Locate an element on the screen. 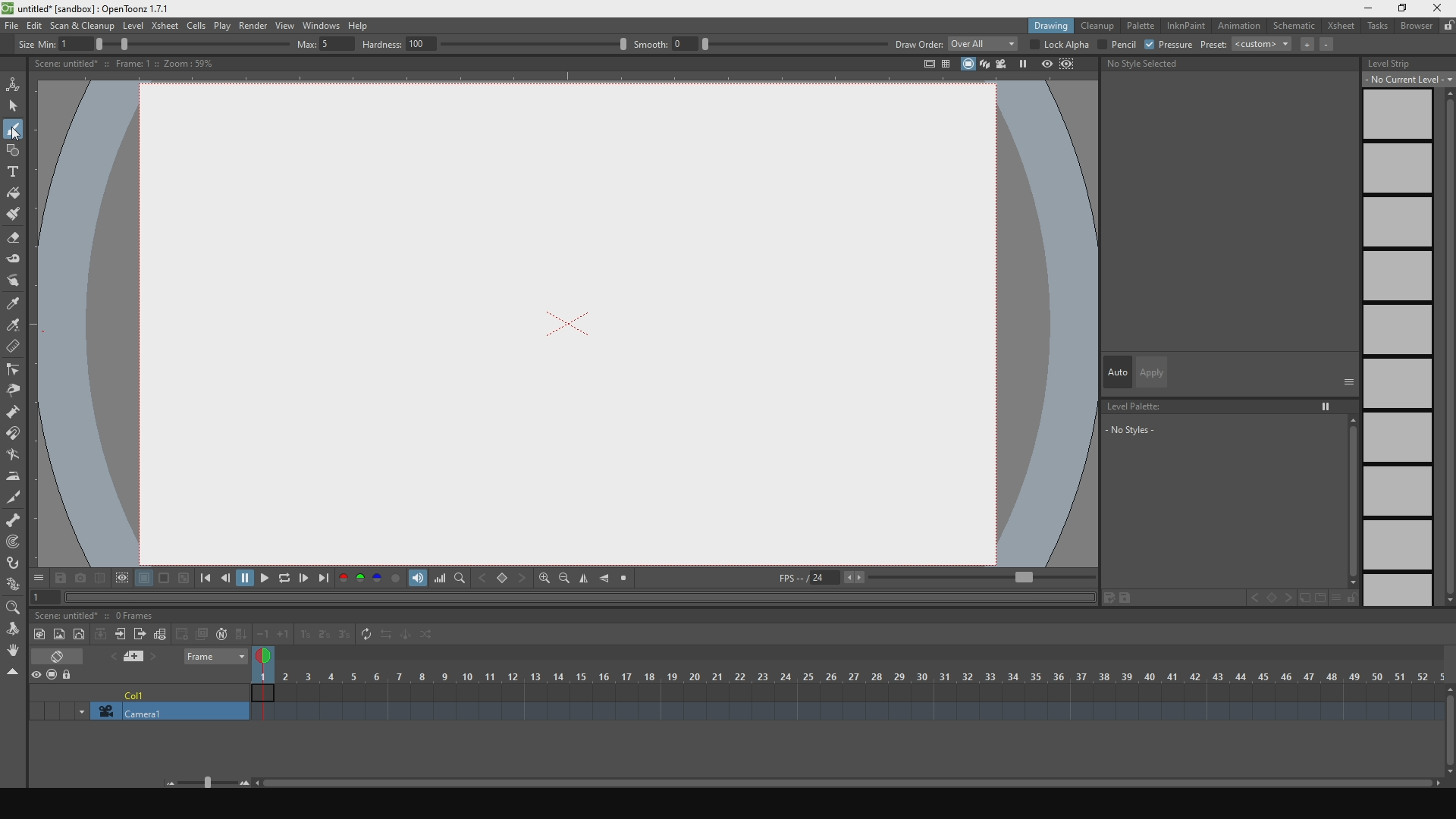  xsheet is located at coordinates (1342, 27).